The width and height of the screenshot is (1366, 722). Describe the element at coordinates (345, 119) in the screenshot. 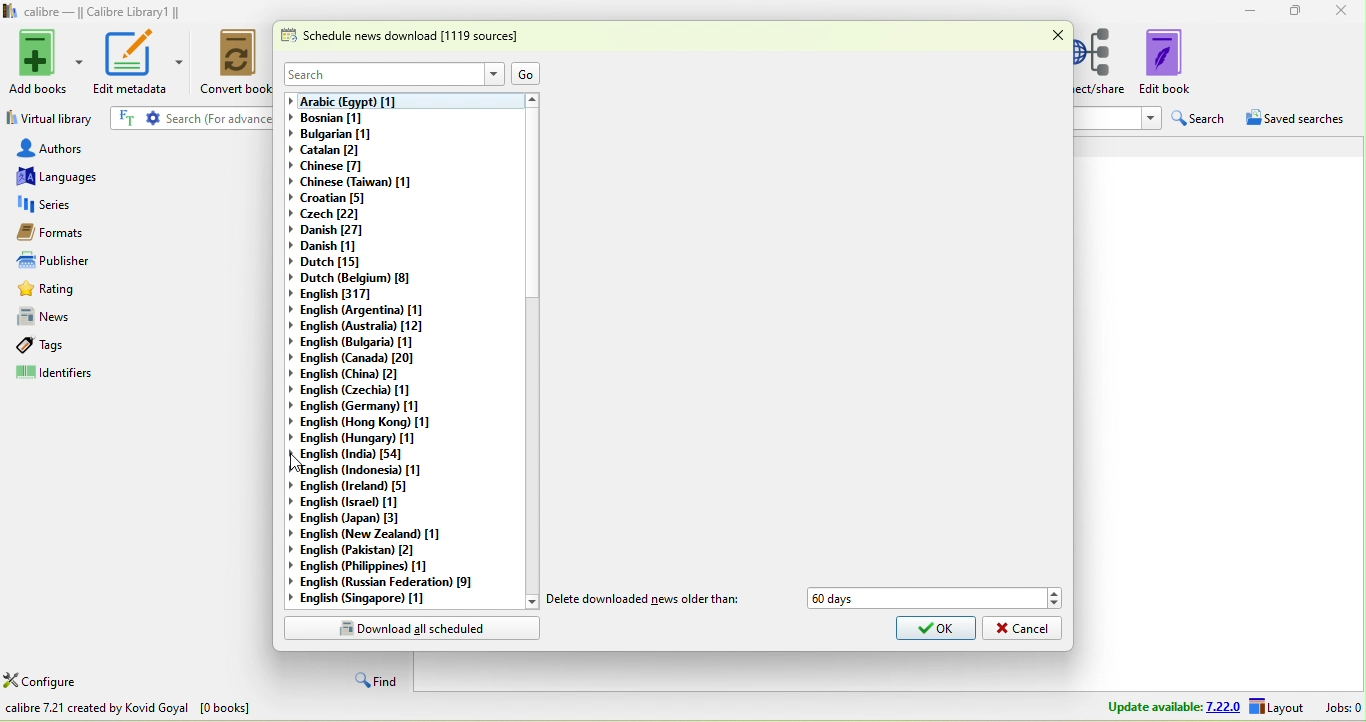

I see `bosnian [1]` at that location.